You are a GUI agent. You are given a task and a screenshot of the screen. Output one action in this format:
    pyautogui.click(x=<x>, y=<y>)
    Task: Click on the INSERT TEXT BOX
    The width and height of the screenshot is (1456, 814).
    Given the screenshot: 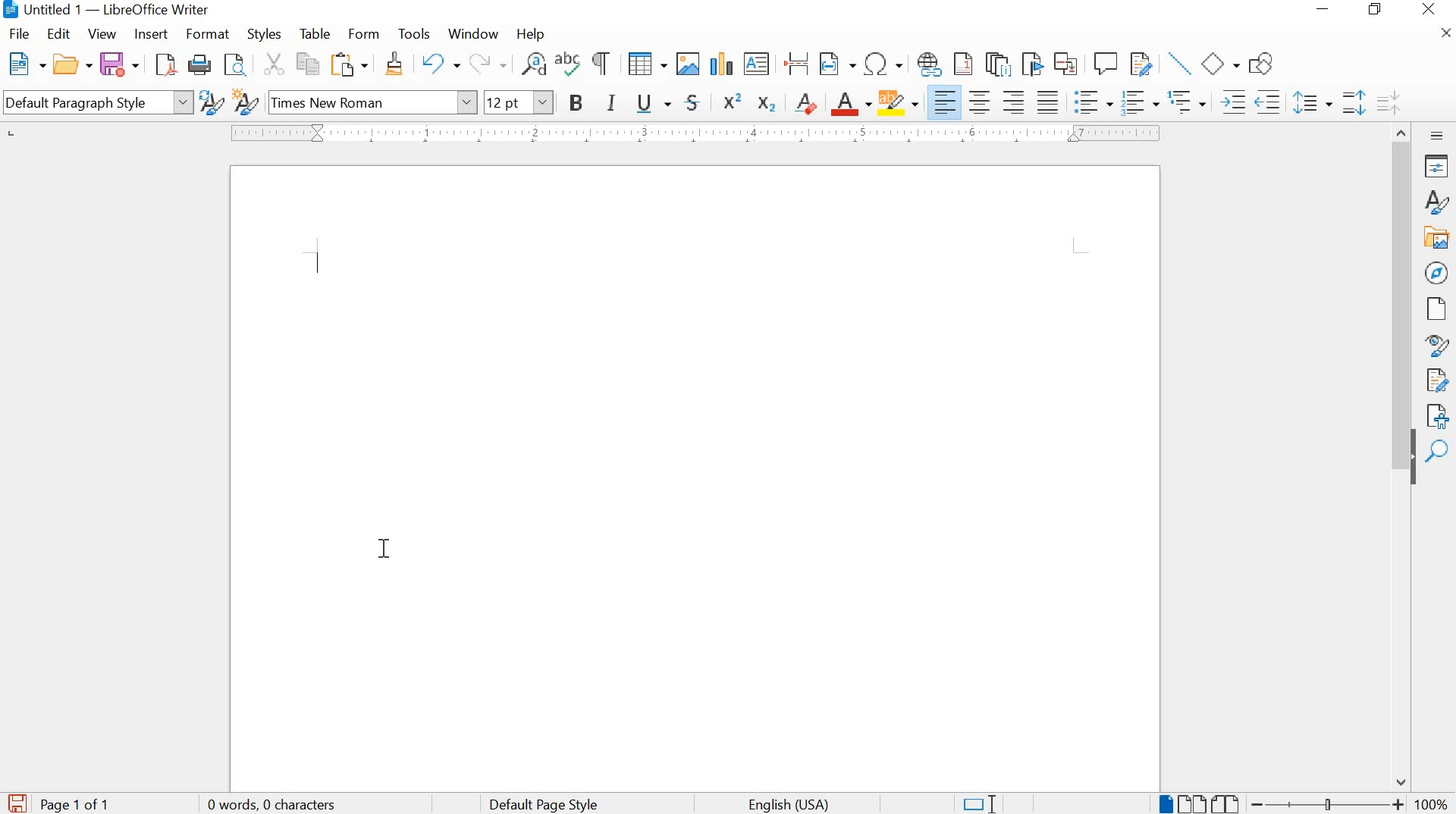 What is the action you would take?
    pyautogui.click(x=757, y=64)
    